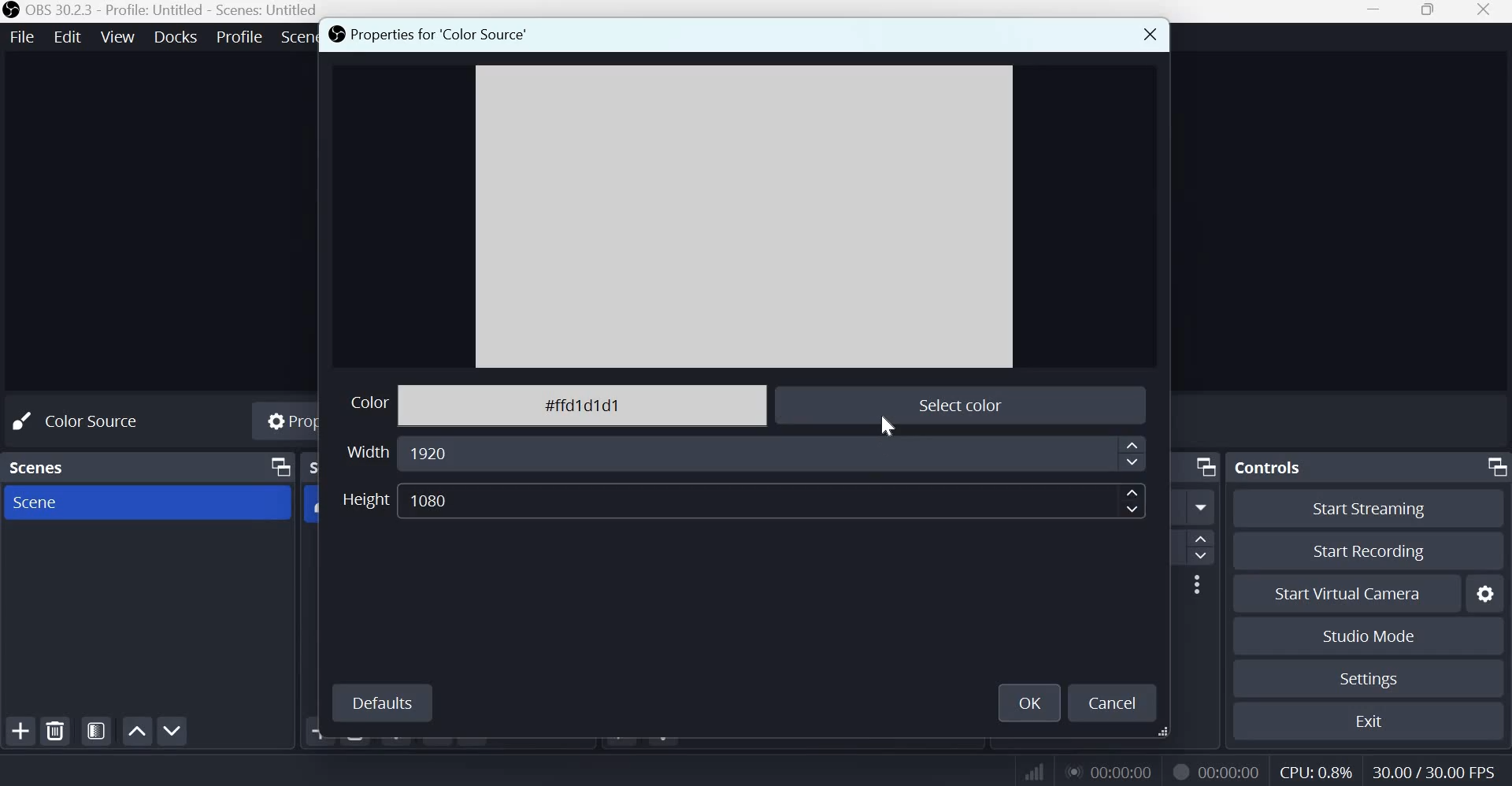 The image size is (1512, 786). What do you see at coordinates (119, 35) in the screenshot?
I see `View` at bounding box center [119, 35].